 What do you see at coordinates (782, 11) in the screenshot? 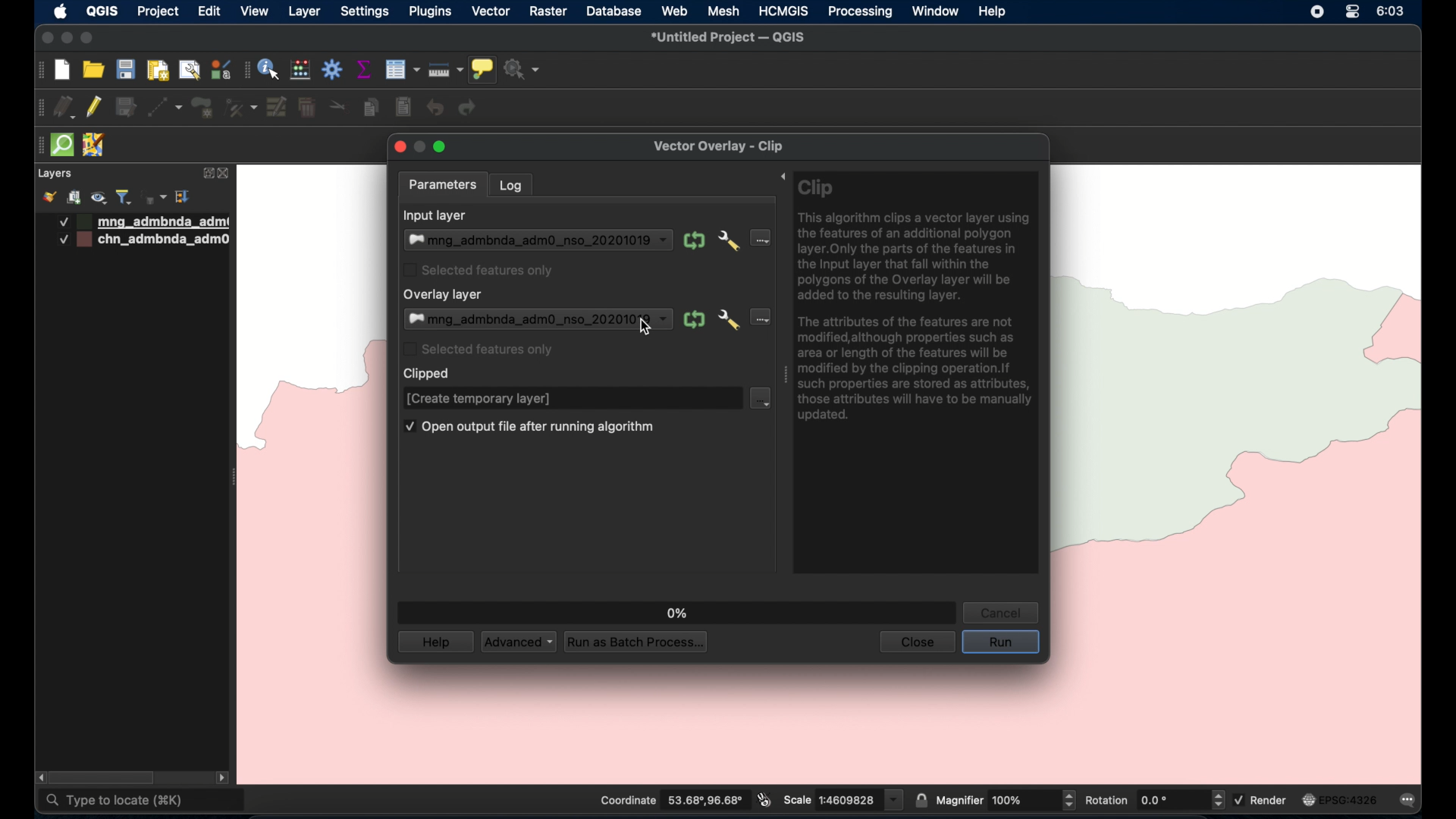
I see `HCMGIS` at bounding box center [782, 11].